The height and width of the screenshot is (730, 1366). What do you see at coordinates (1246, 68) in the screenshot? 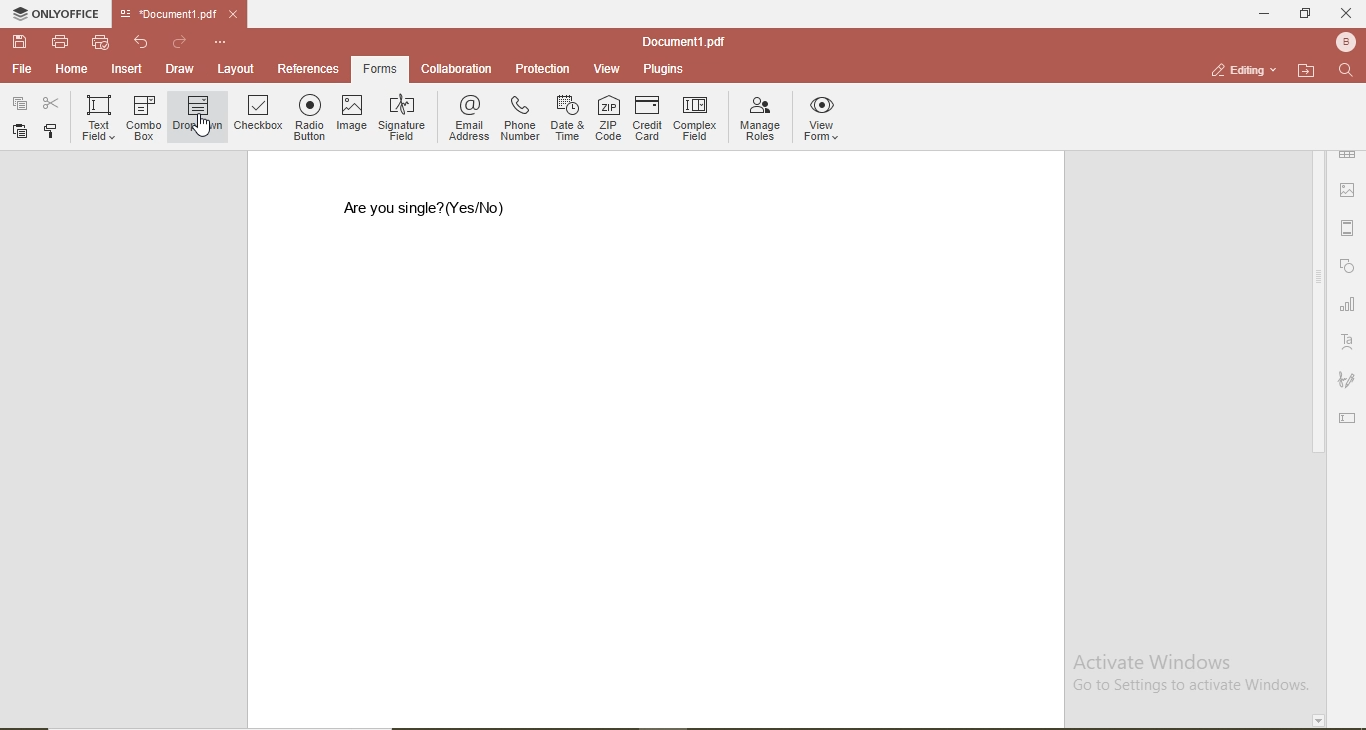
I see `editing` at bounding box center [1246, 68].